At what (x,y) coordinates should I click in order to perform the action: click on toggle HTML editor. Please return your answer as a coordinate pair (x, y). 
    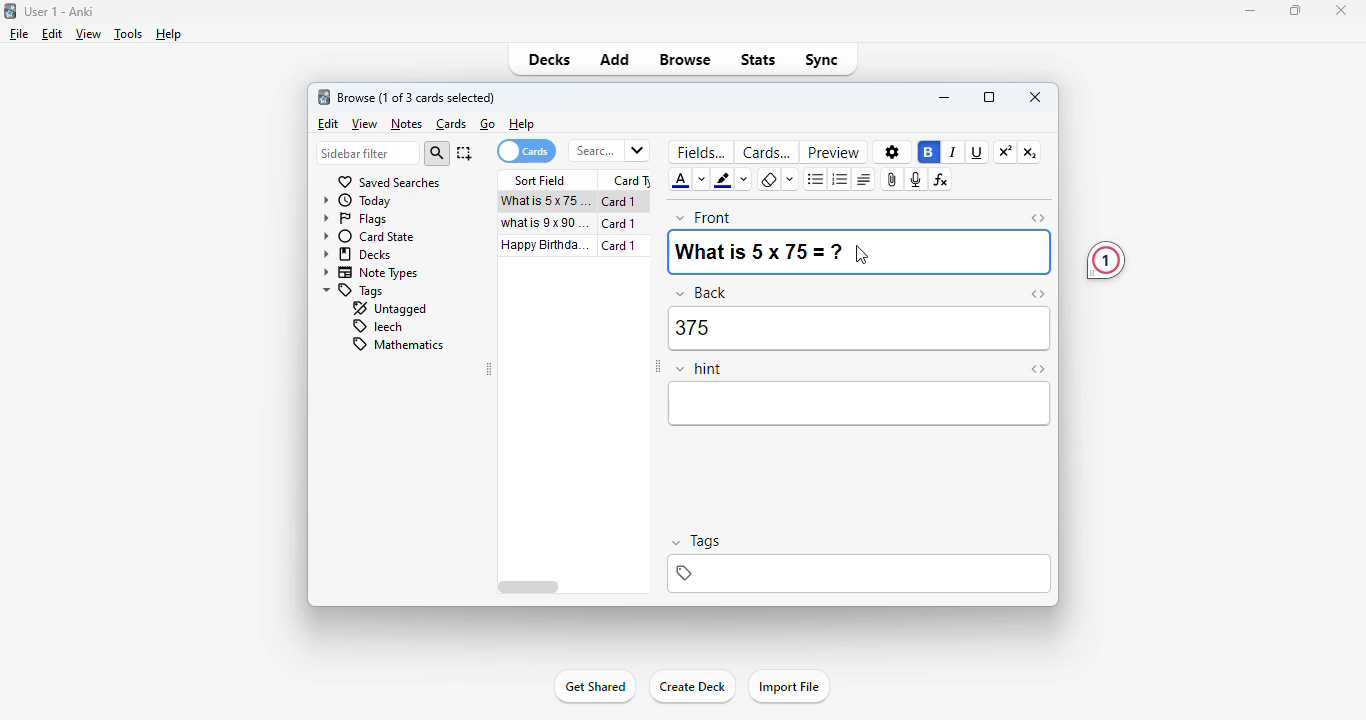
    Looking at the image, I should click on (1037, 295).